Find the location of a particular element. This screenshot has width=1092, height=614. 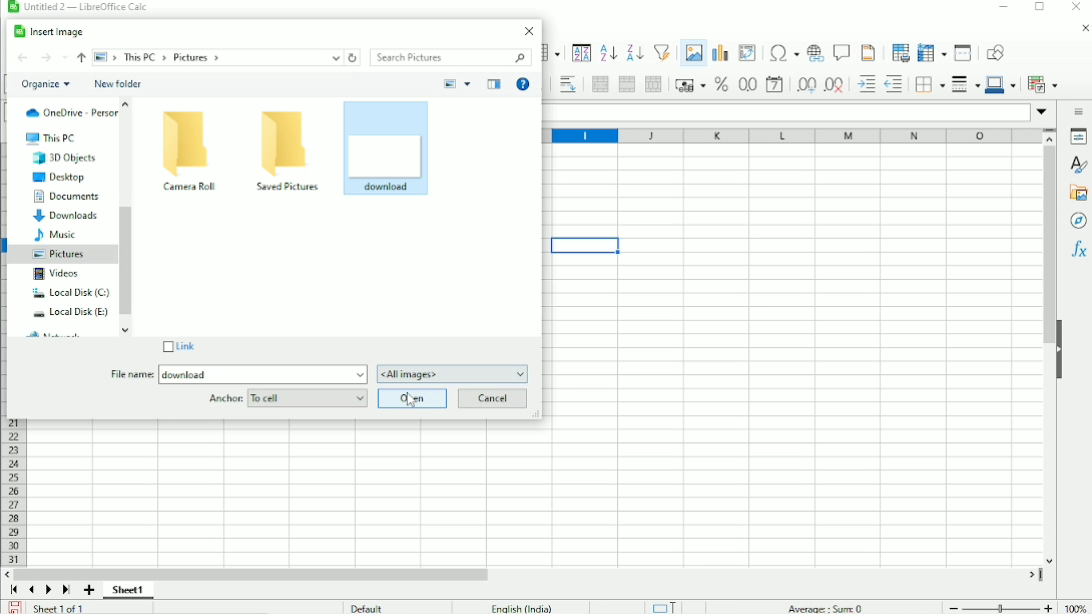

Conditional is located at coordinates (1042, 84).